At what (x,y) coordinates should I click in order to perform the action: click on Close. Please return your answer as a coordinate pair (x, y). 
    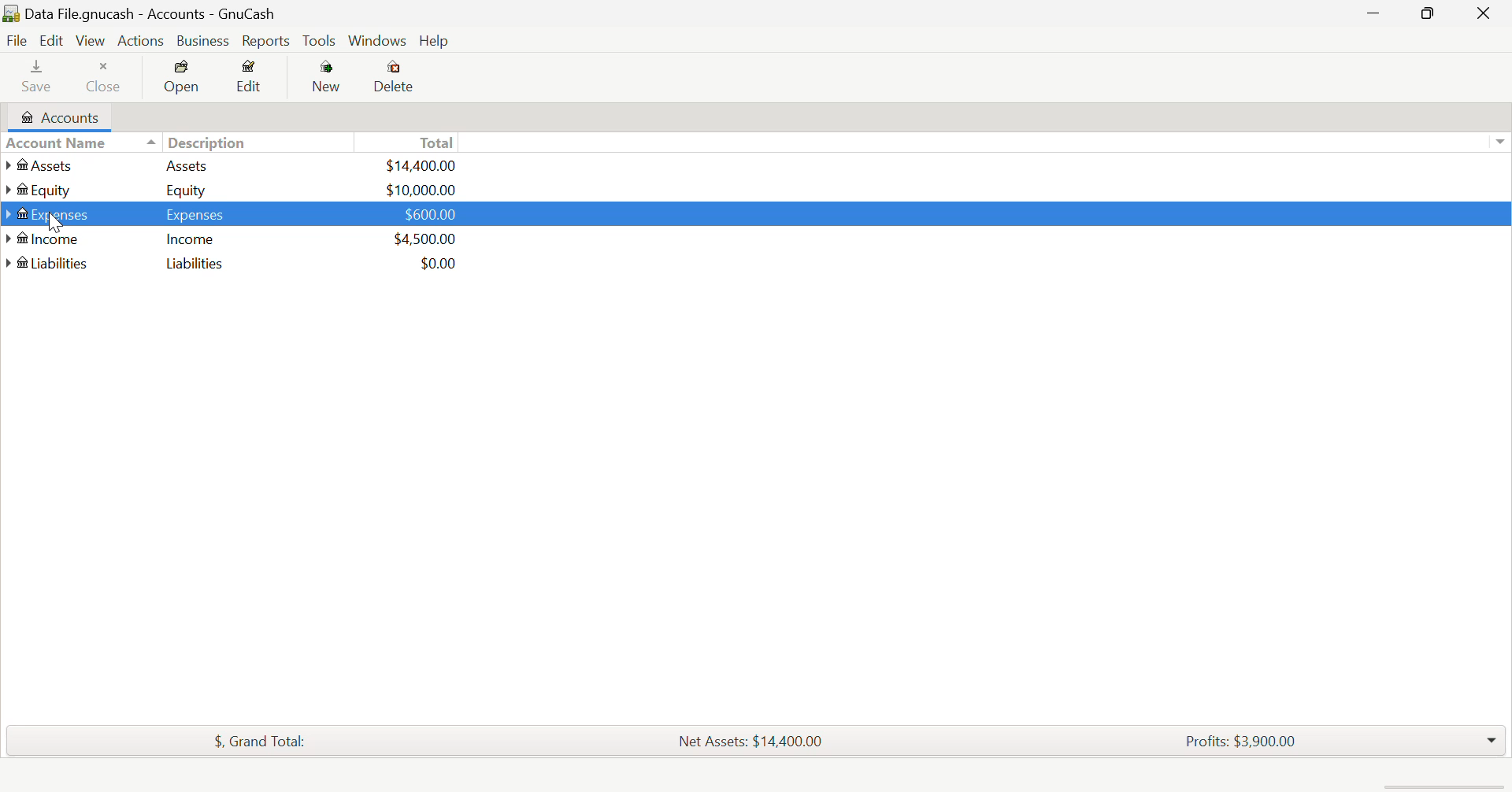
    Looking at the image, I should click on (103, 80).